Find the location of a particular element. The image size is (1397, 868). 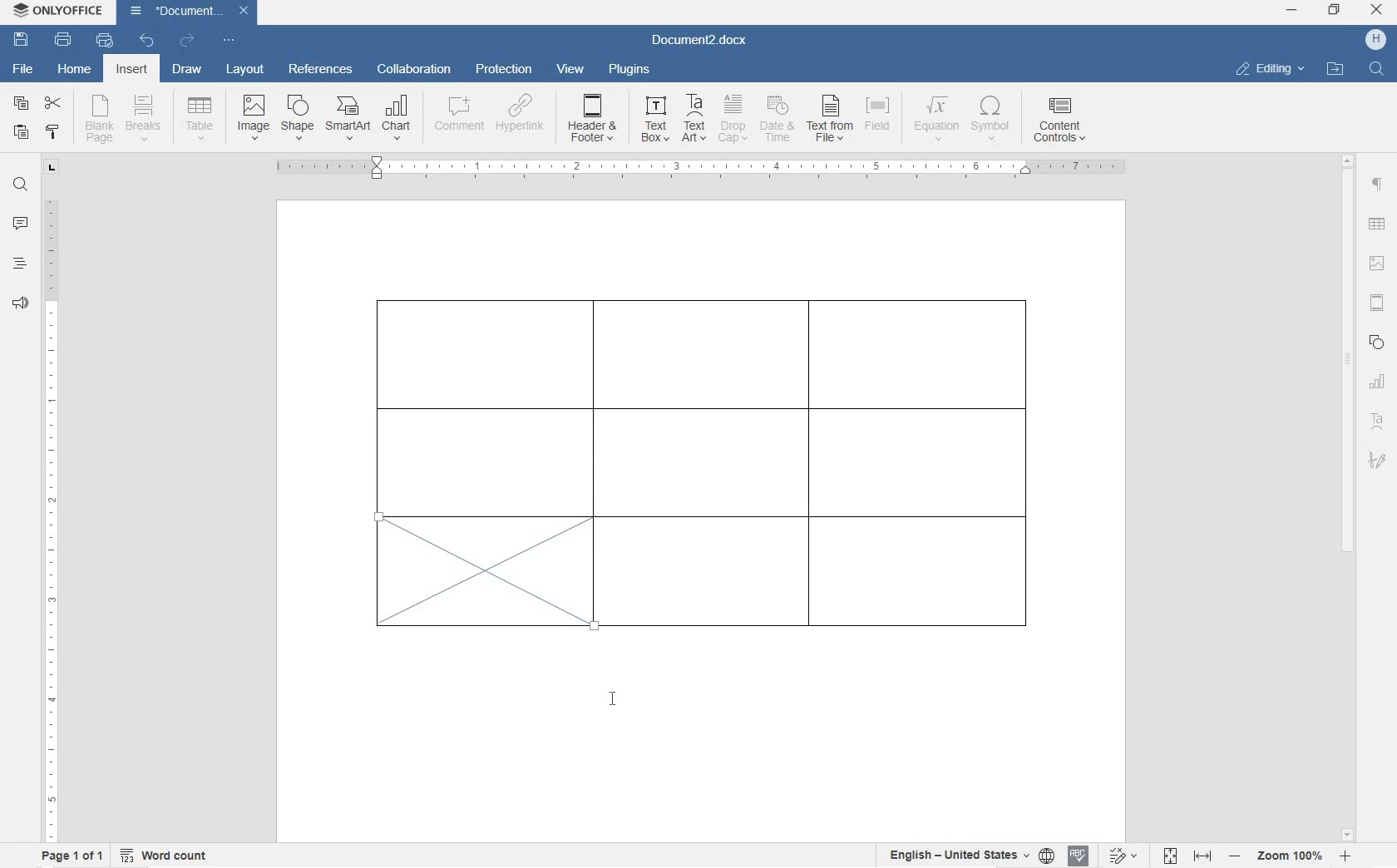

headings is located at coordinates (20, 264).